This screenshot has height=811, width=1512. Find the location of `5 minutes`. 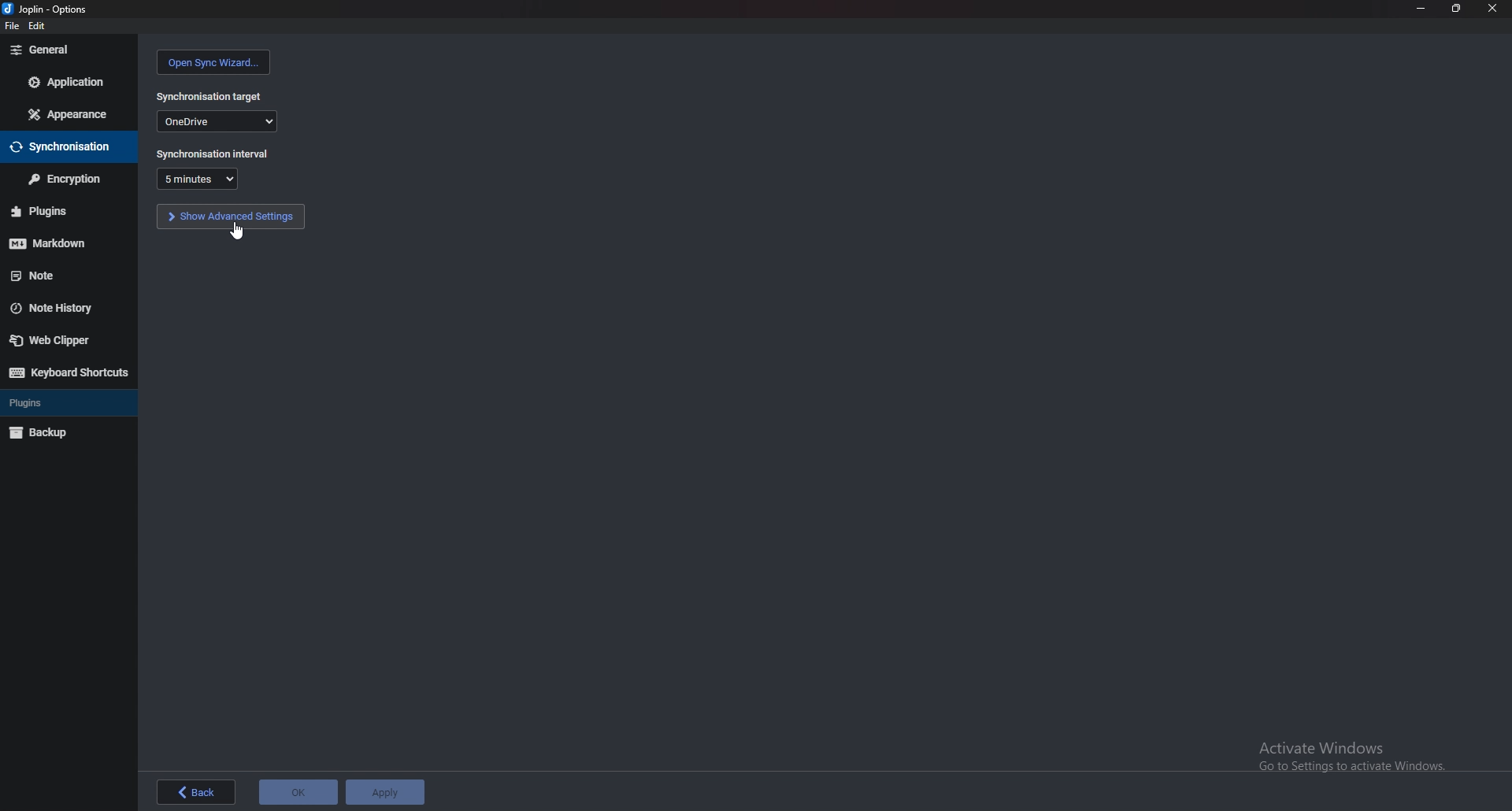

5 minutes is located at coordinates (196, 179).